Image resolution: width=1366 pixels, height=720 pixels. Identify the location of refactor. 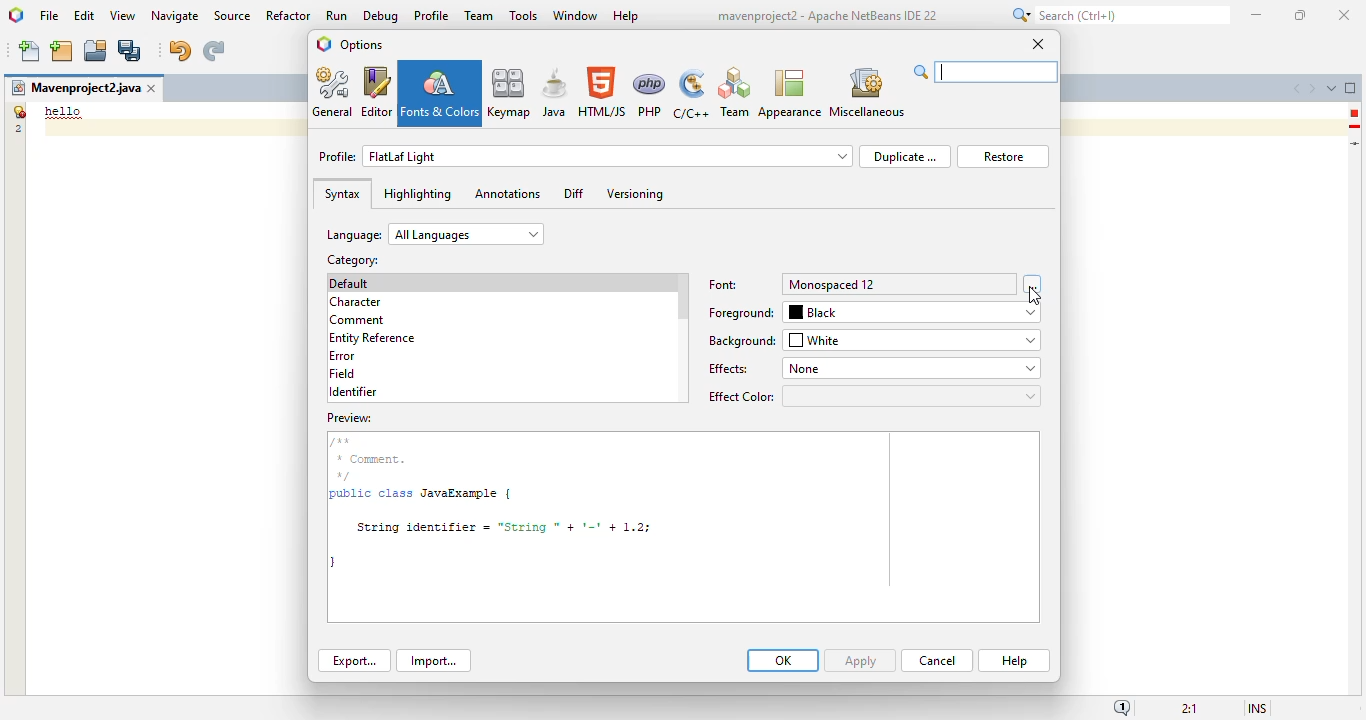
(289, 15).